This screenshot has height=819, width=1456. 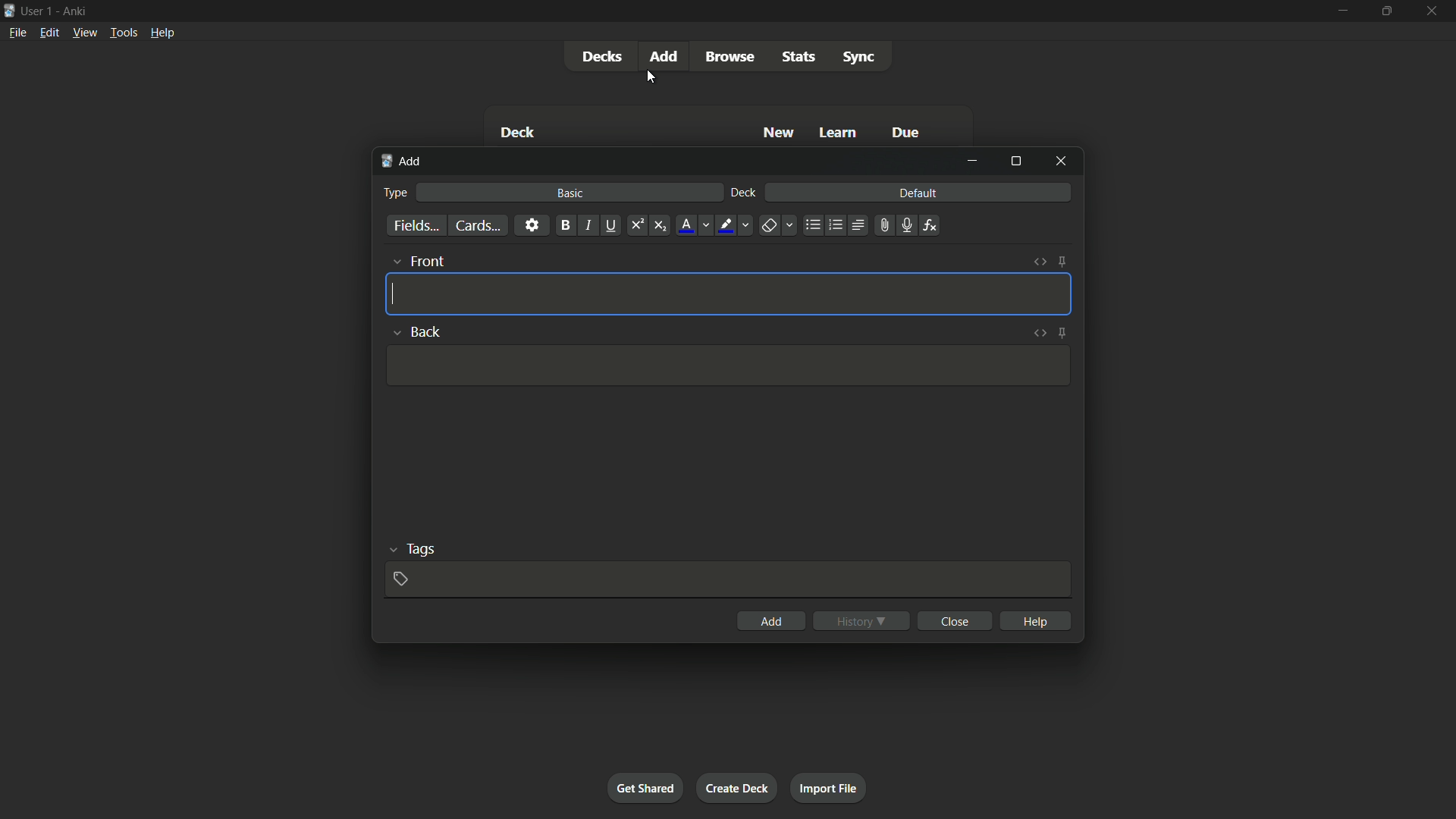 I want to click on bold, so click(x=565, y=226).